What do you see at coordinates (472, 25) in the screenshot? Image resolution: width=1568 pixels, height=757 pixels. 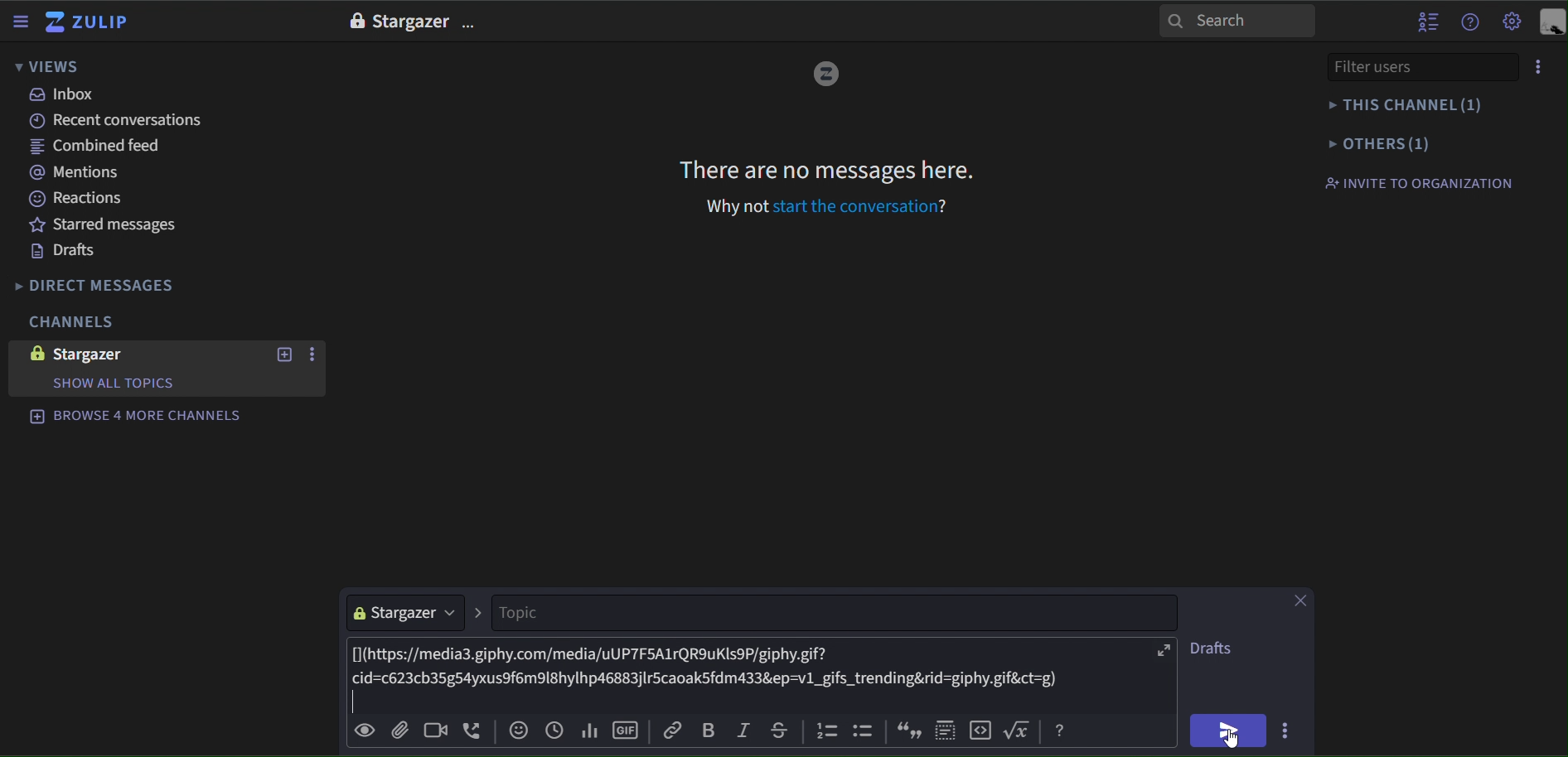 I see `options` at bounding box center [472, 25].